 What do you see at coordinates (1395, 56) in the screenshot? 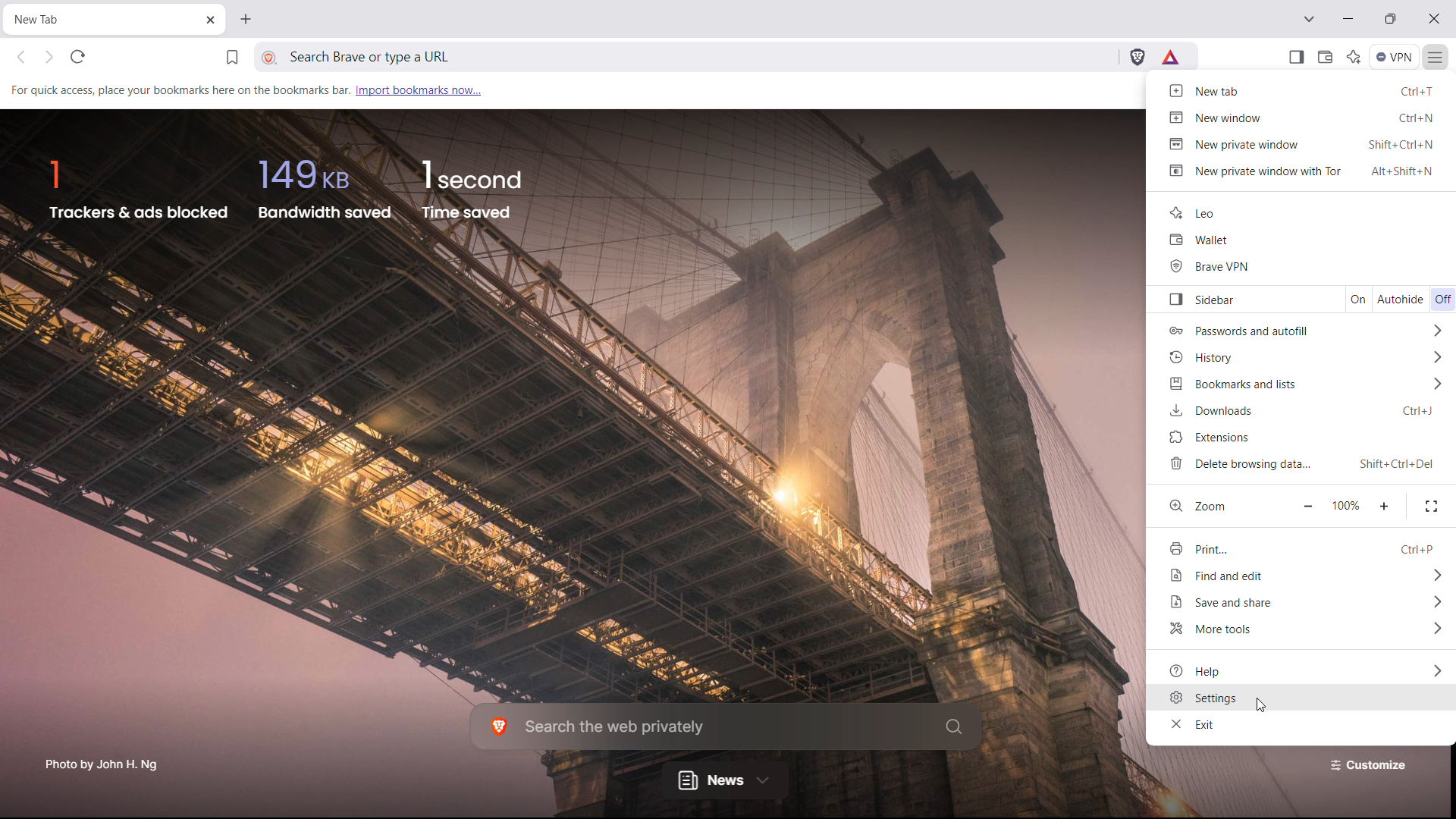
I see `vpn` at bounding box center [1395, 56].